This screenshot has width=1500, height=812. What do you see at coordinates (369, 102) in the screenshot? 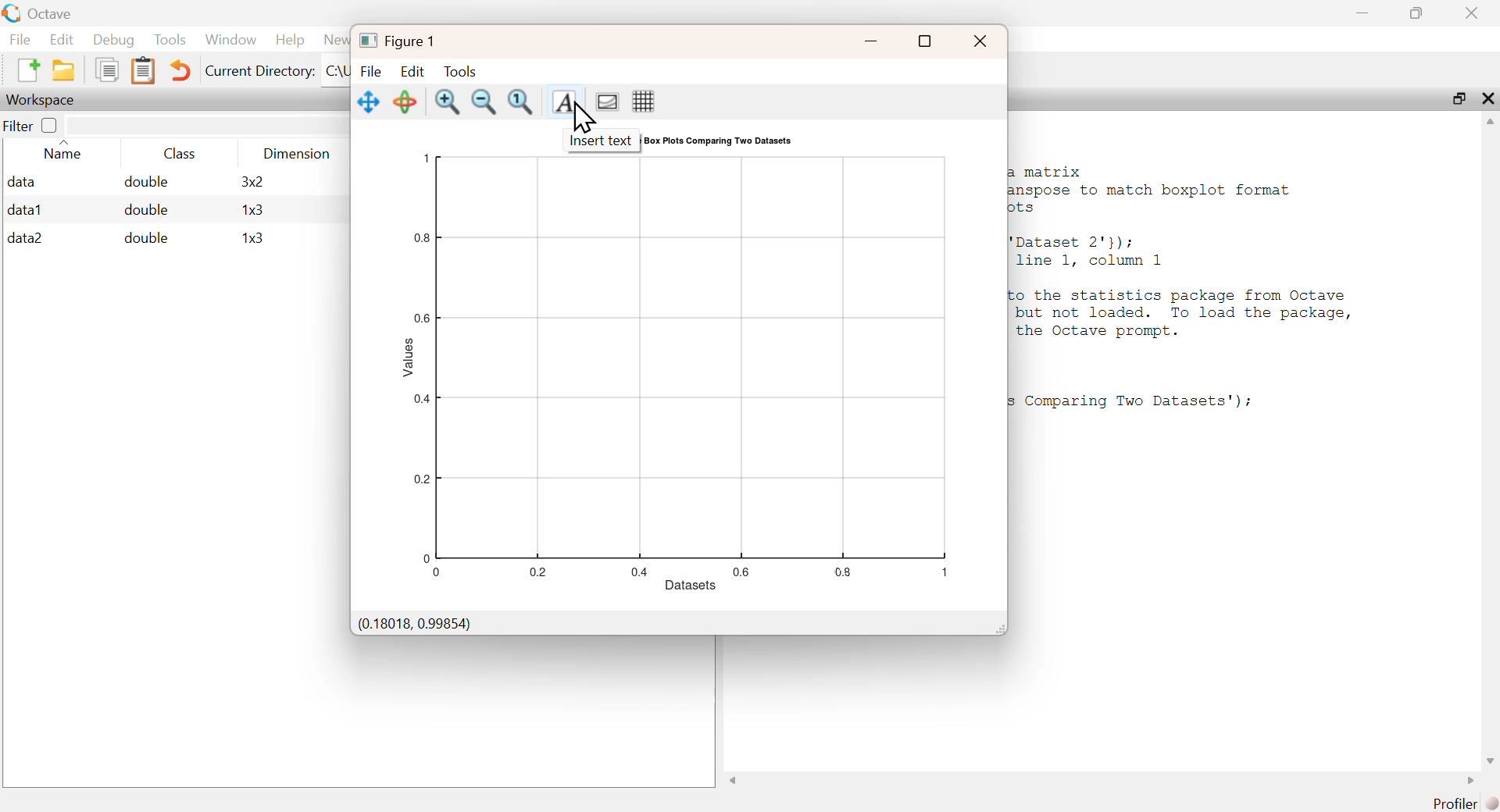
I see `Move` at bounding box center [369, 102].